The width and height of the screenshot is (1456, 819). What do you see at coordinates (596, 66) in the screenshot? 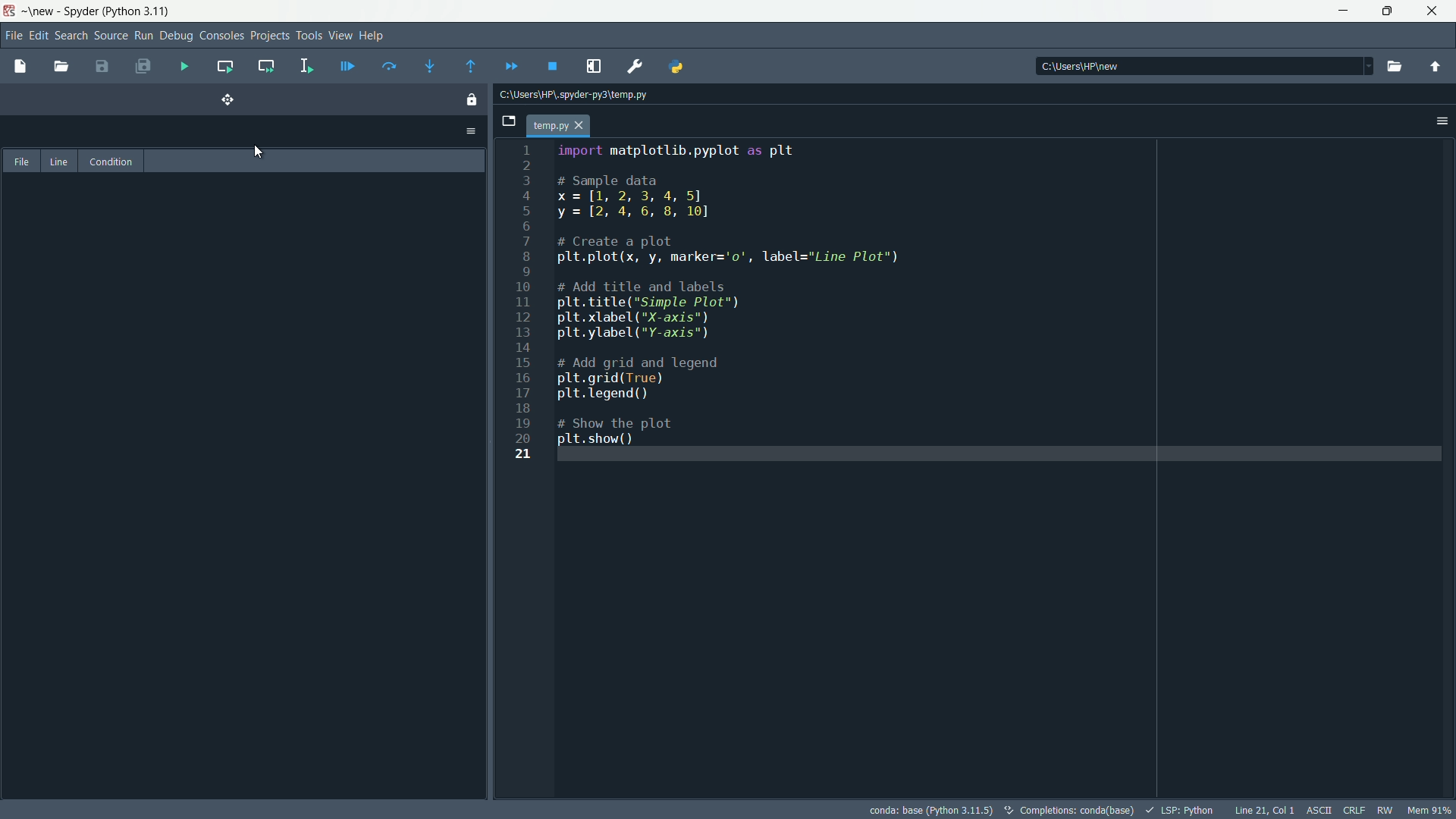
I see `maximize current pane` at bounding box center [596, 66].